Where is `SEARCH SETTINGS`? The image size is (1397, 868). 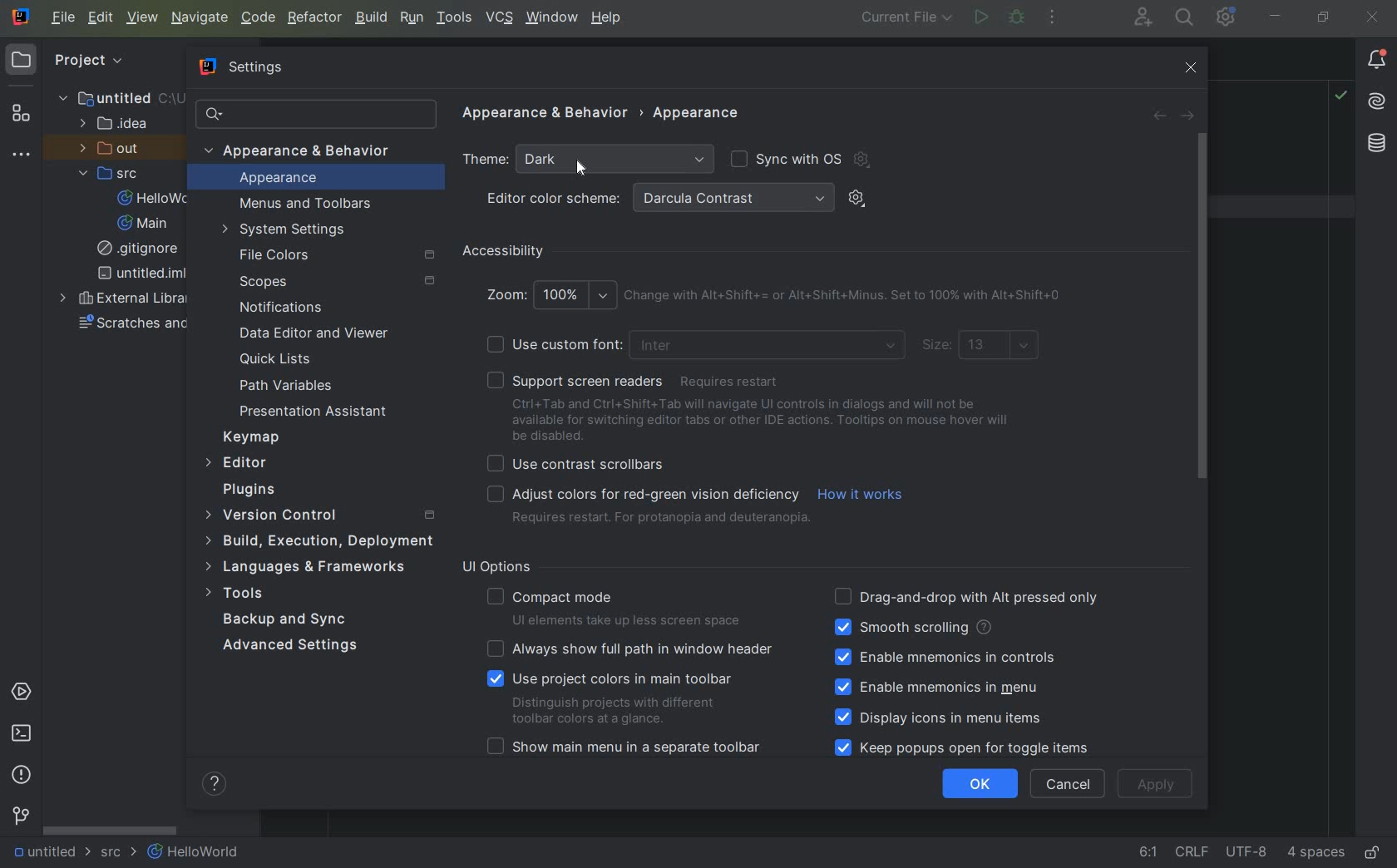 SEARCH SETTINGS is located at coordinates (314, 114).